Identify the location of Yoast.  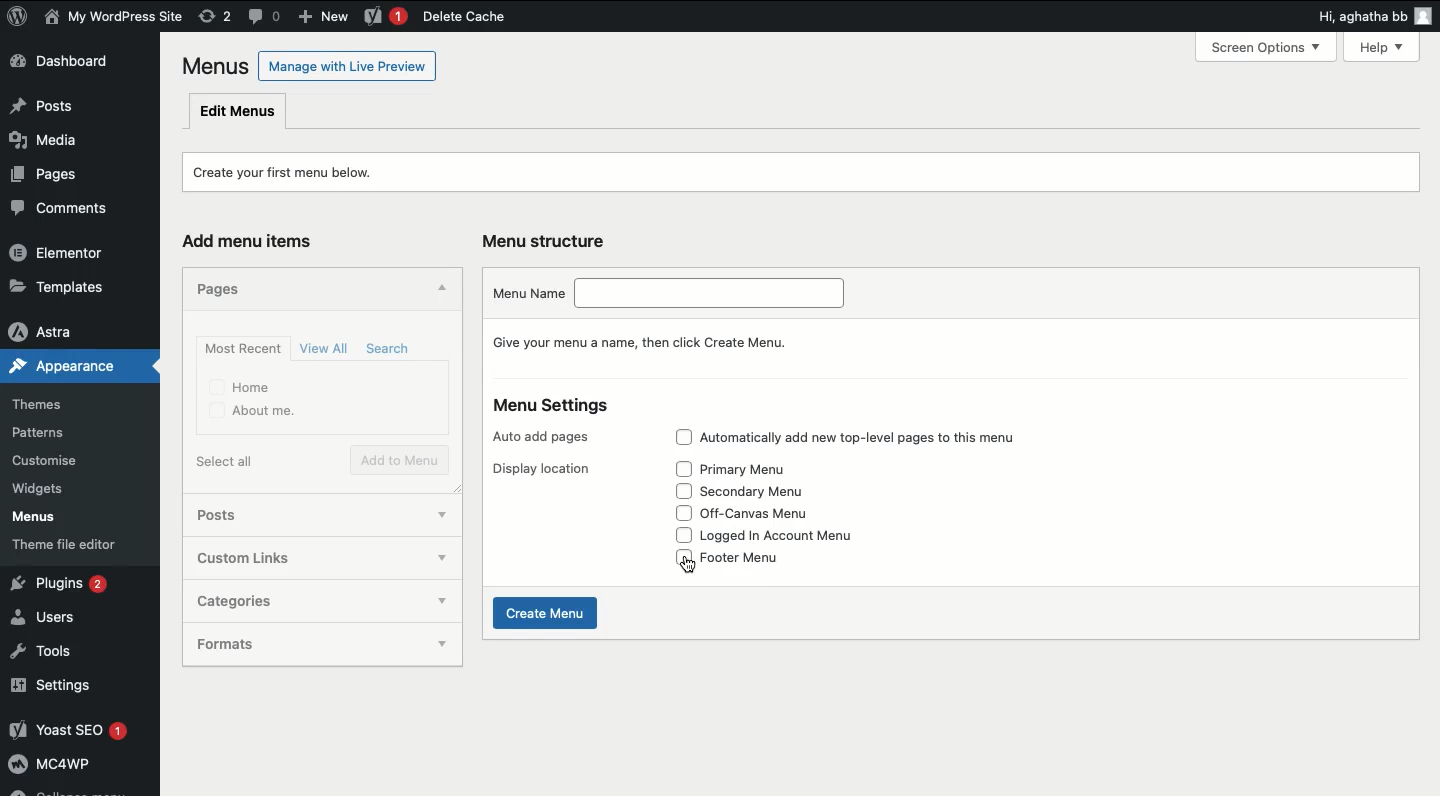
(384, 17).